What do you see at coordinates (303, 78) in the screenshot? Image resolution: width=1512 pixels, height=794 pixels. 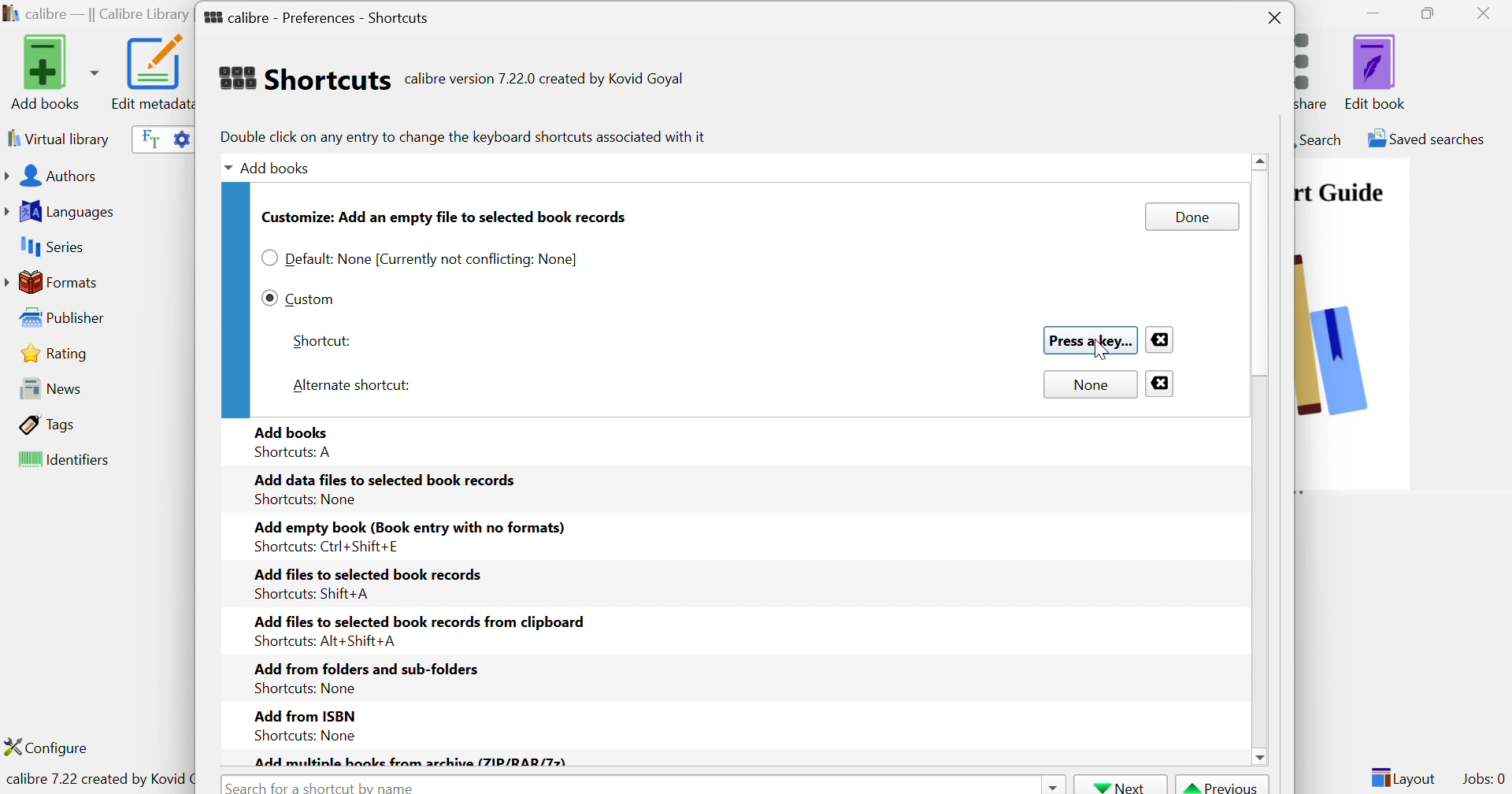 I see `Shortcuts` at bounding box center [303, 78].